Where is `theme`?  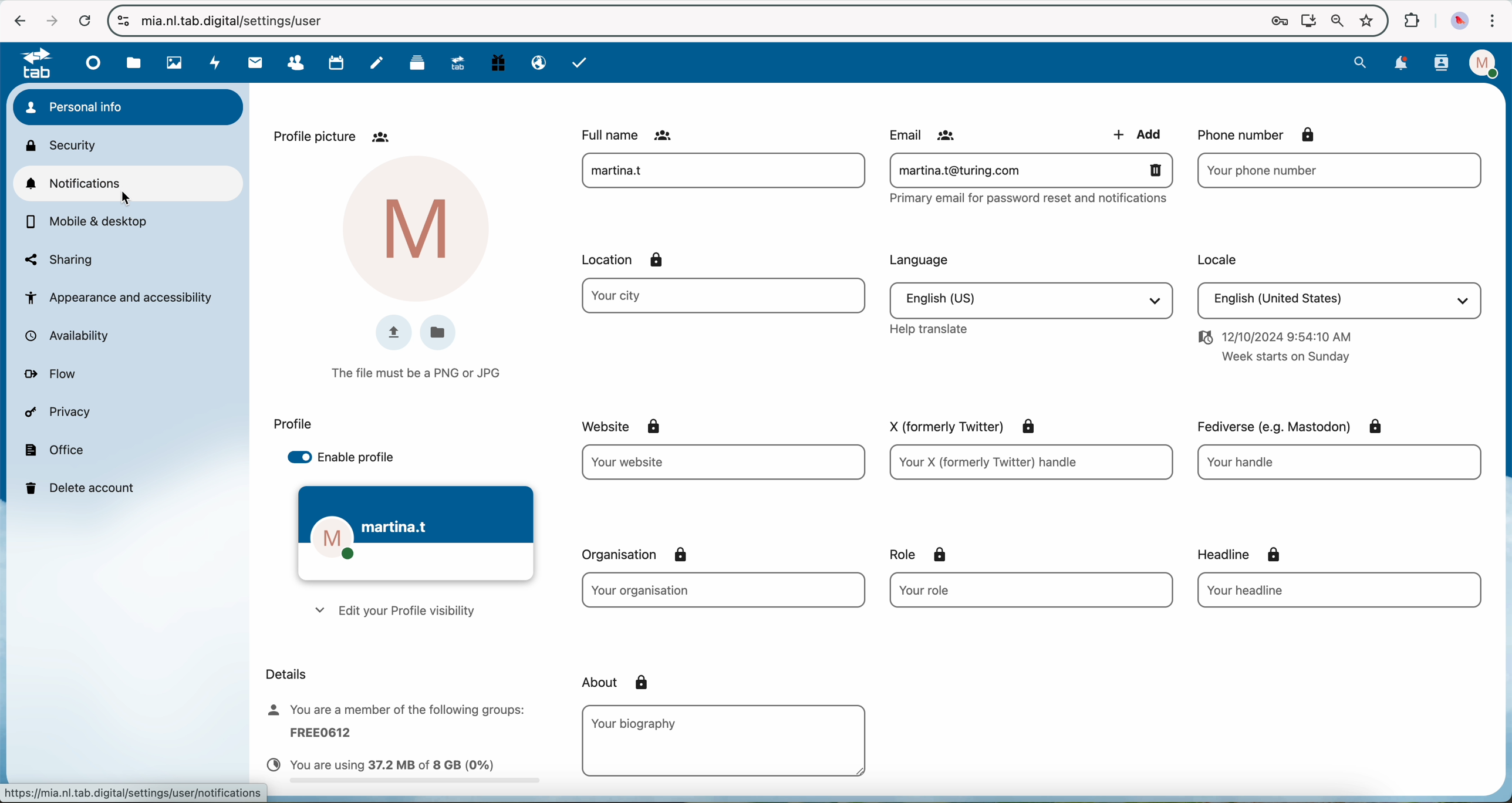 theme is located at coordinates (415, 532).